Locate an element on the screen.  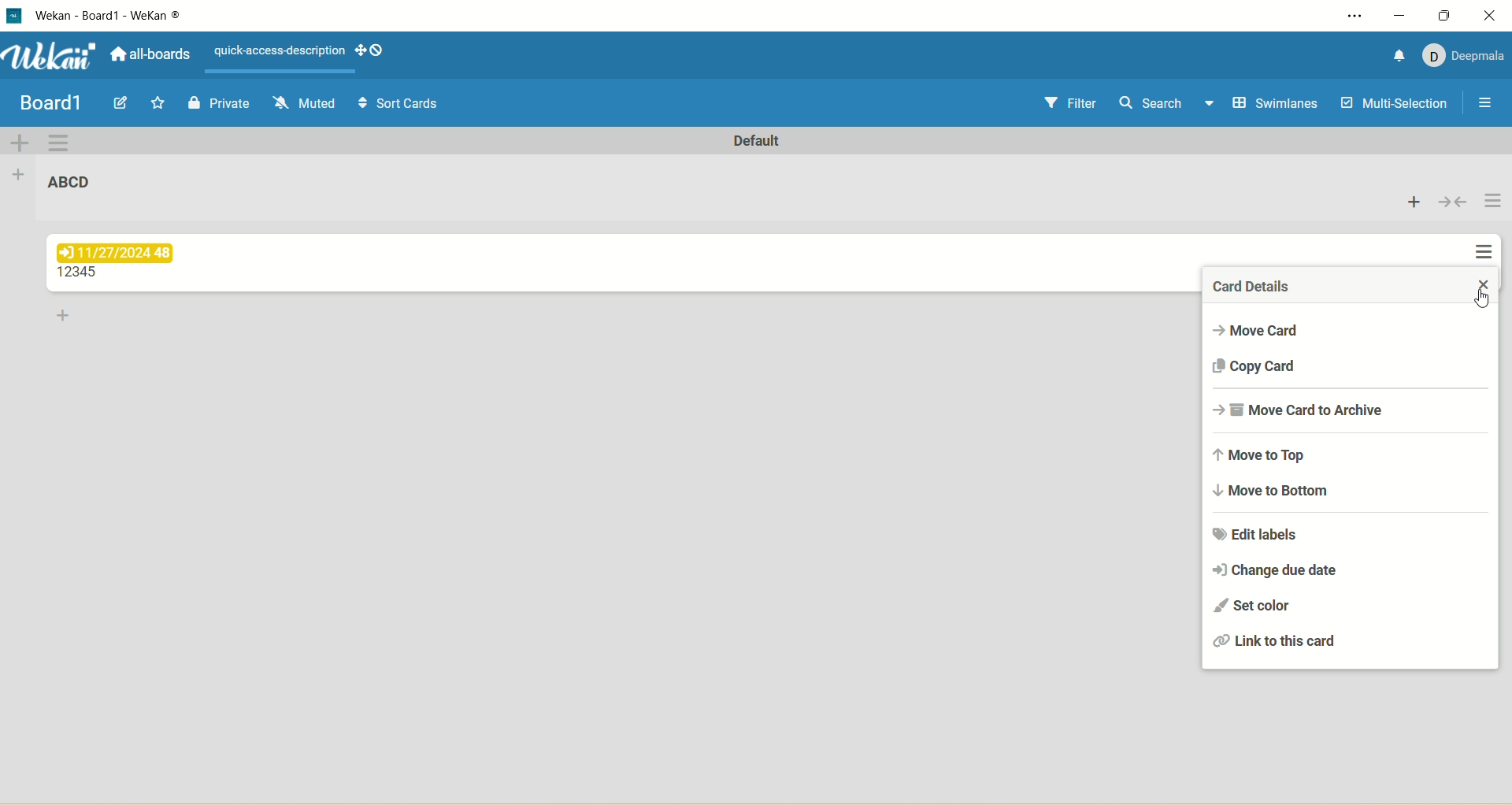
muted is located at coordinates (306, 103).